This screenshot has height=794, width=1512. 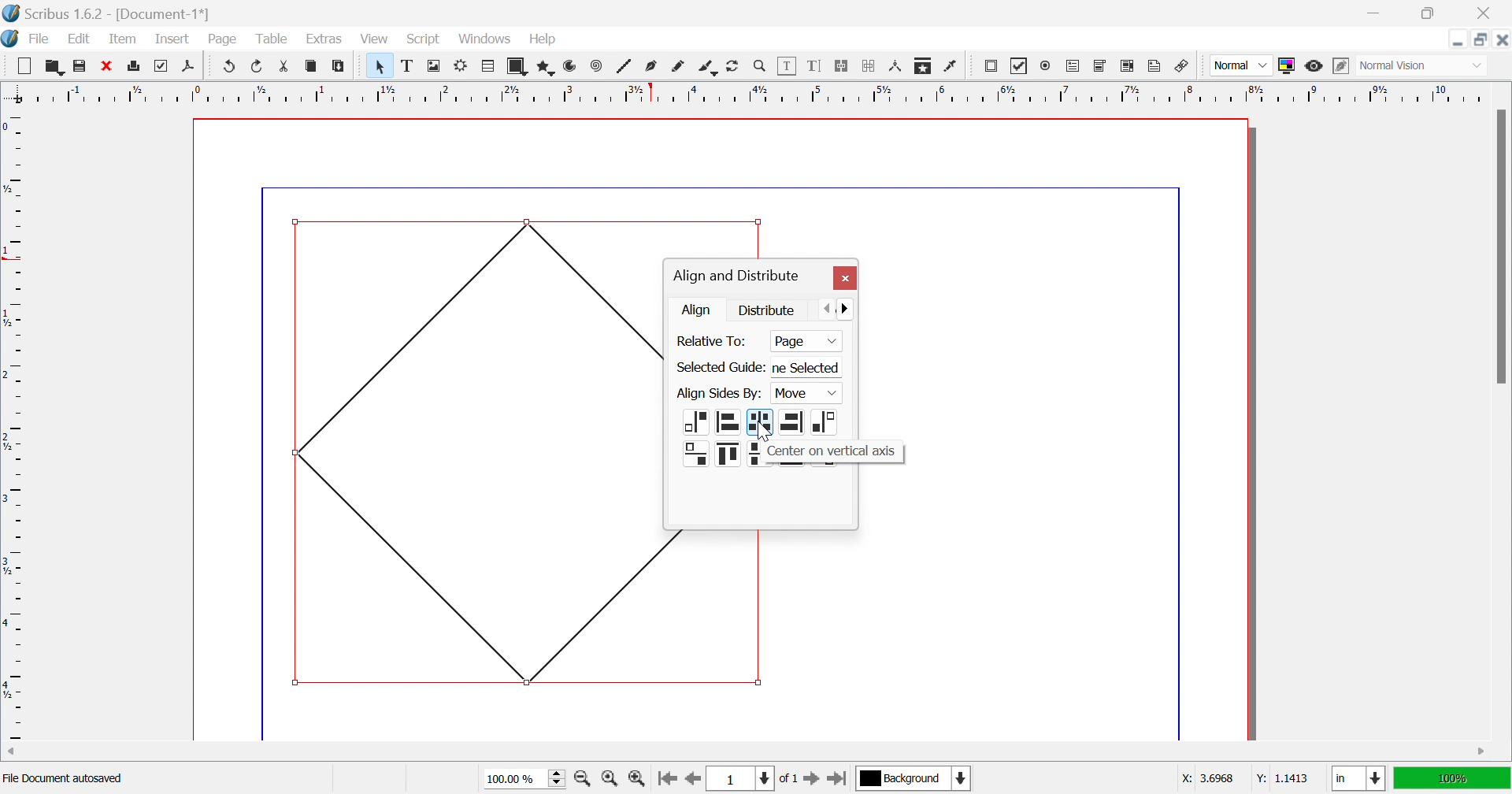 What do you see at coordinates (520, 67) in the screenshot?
I see `Shape` at bounding box center [520, 67].